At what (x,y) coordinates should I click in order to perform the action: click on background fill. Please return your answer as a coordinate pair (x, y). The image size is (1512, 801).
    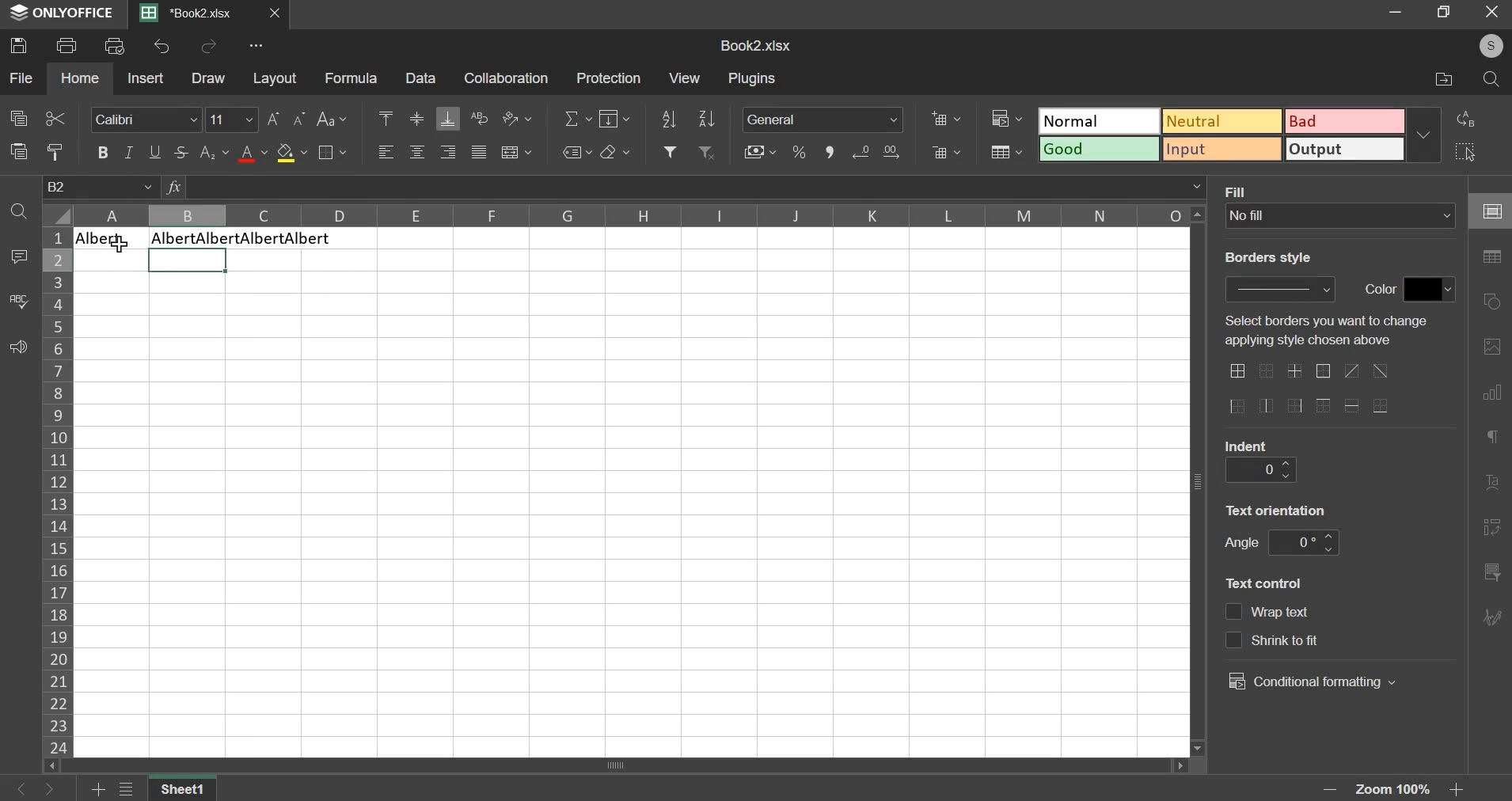
    Looking at the image, I should click on (1341, 215).